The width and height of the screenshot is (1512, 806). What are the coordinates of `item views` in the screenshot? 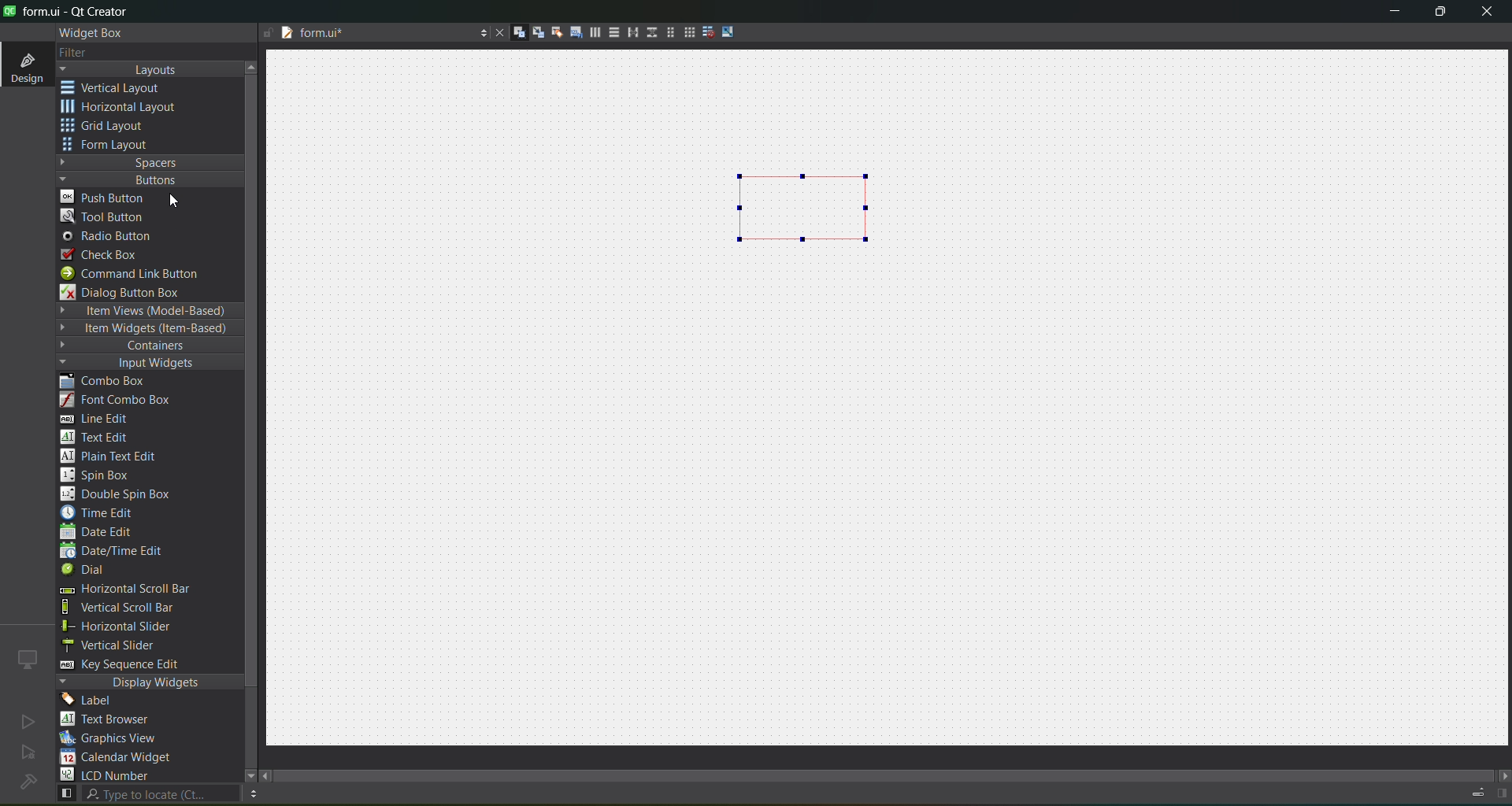 It's located at (148, 312).